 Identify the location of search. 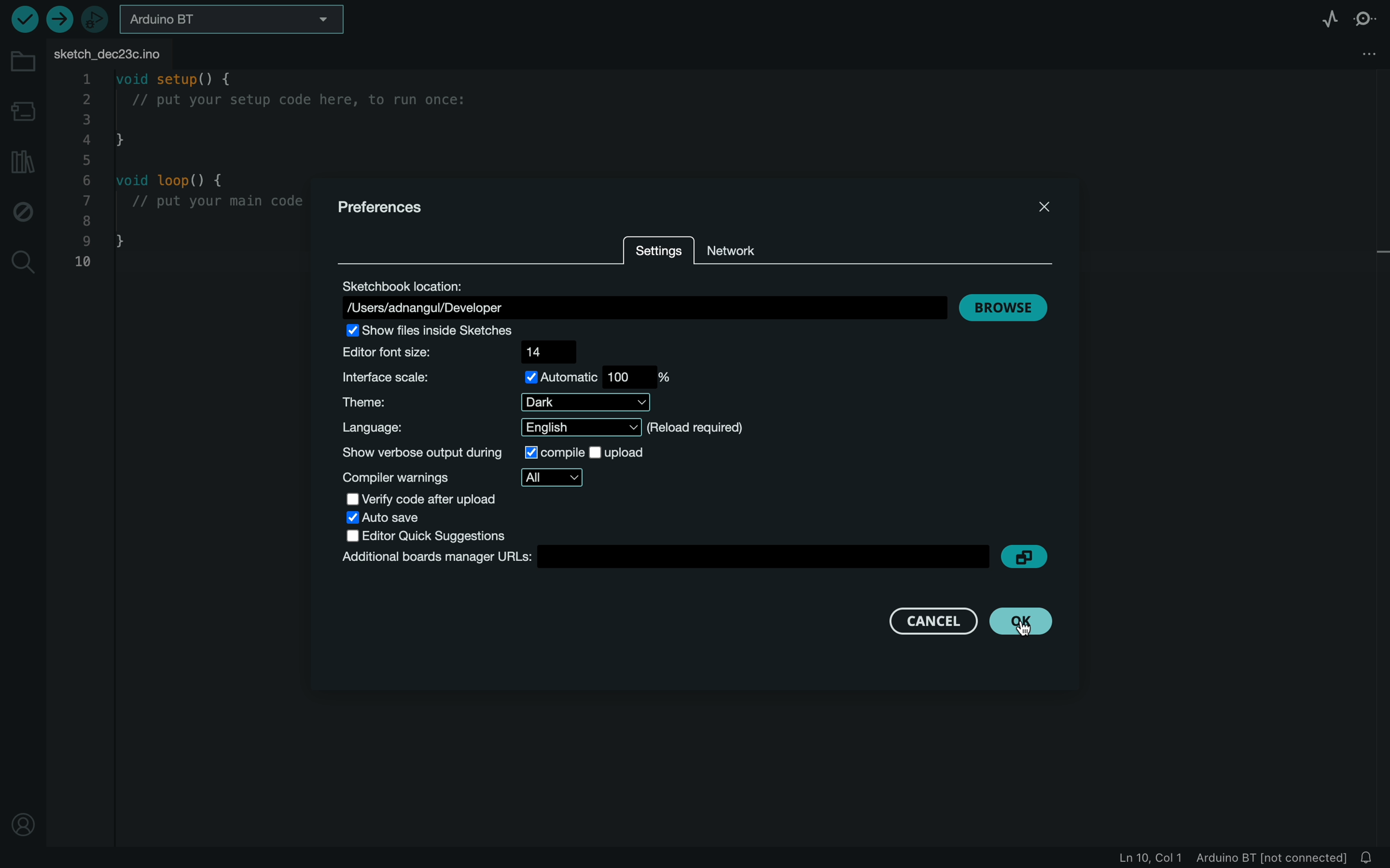
(23, 263).